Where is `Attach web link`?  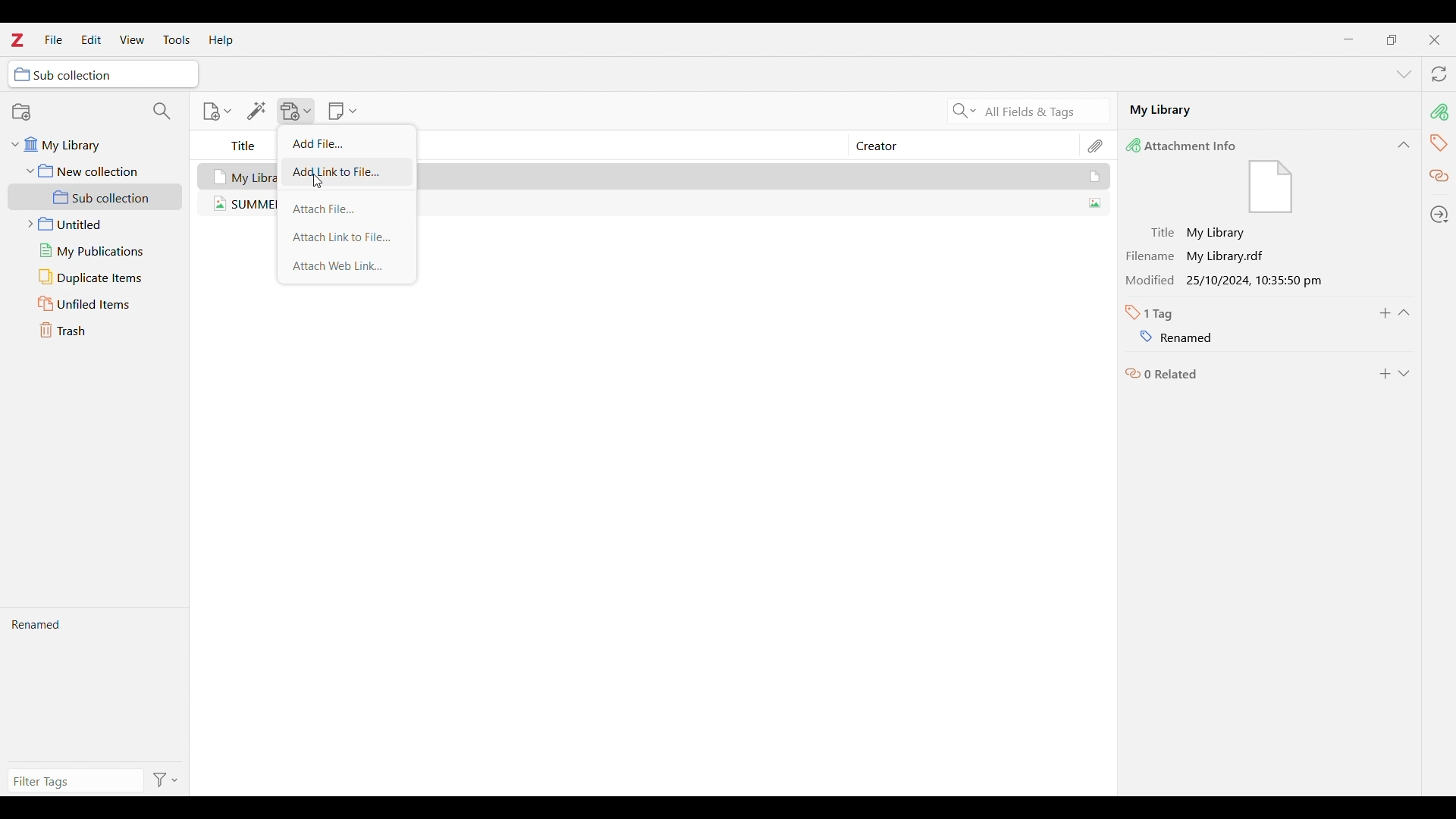
Attach web link is located at coordinates (347, 266).